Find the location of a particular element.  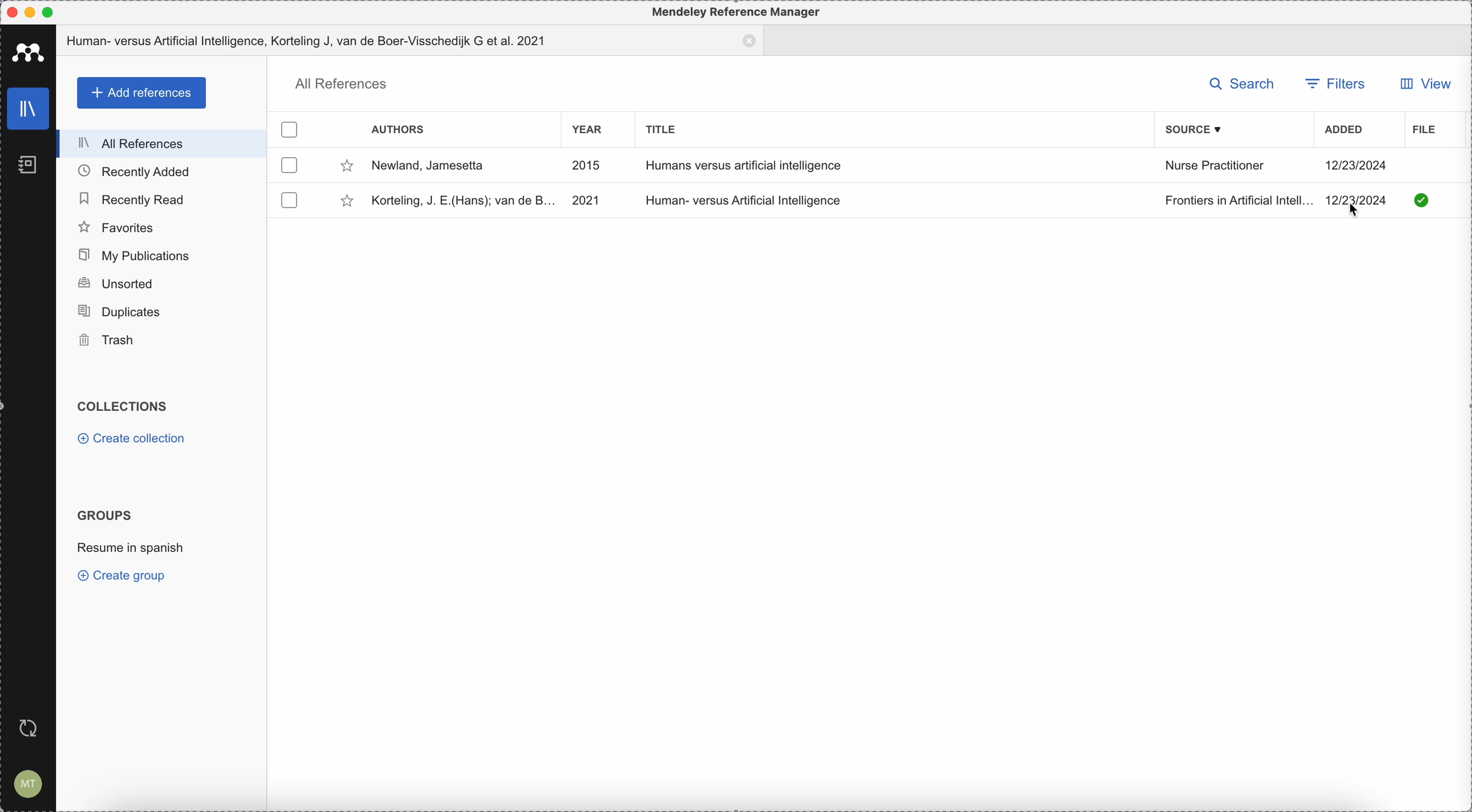

favorite is located at coordinates (344, 166).